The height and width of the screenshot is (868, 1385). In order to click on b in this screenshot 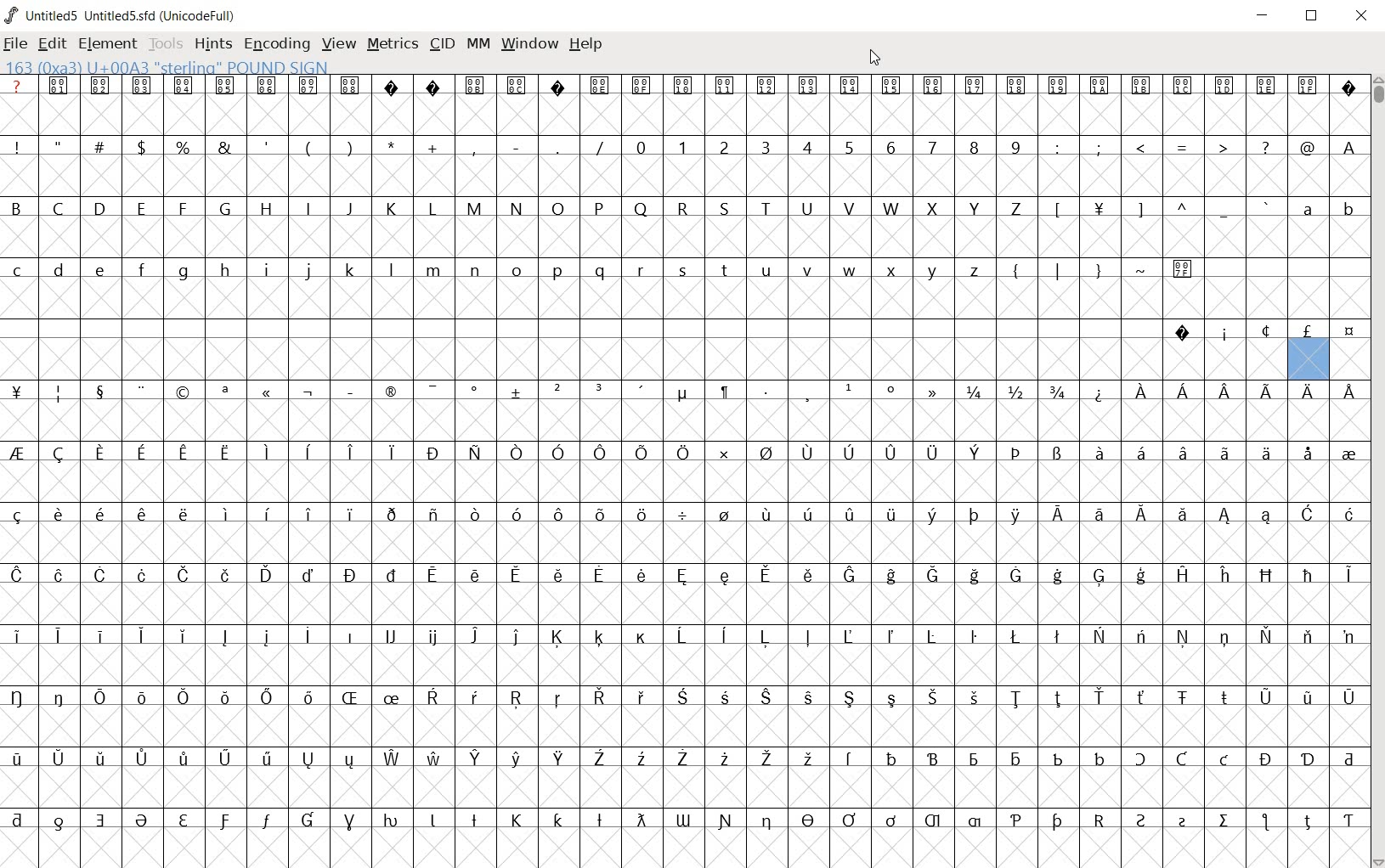, I will do `click(1347, 208)`.